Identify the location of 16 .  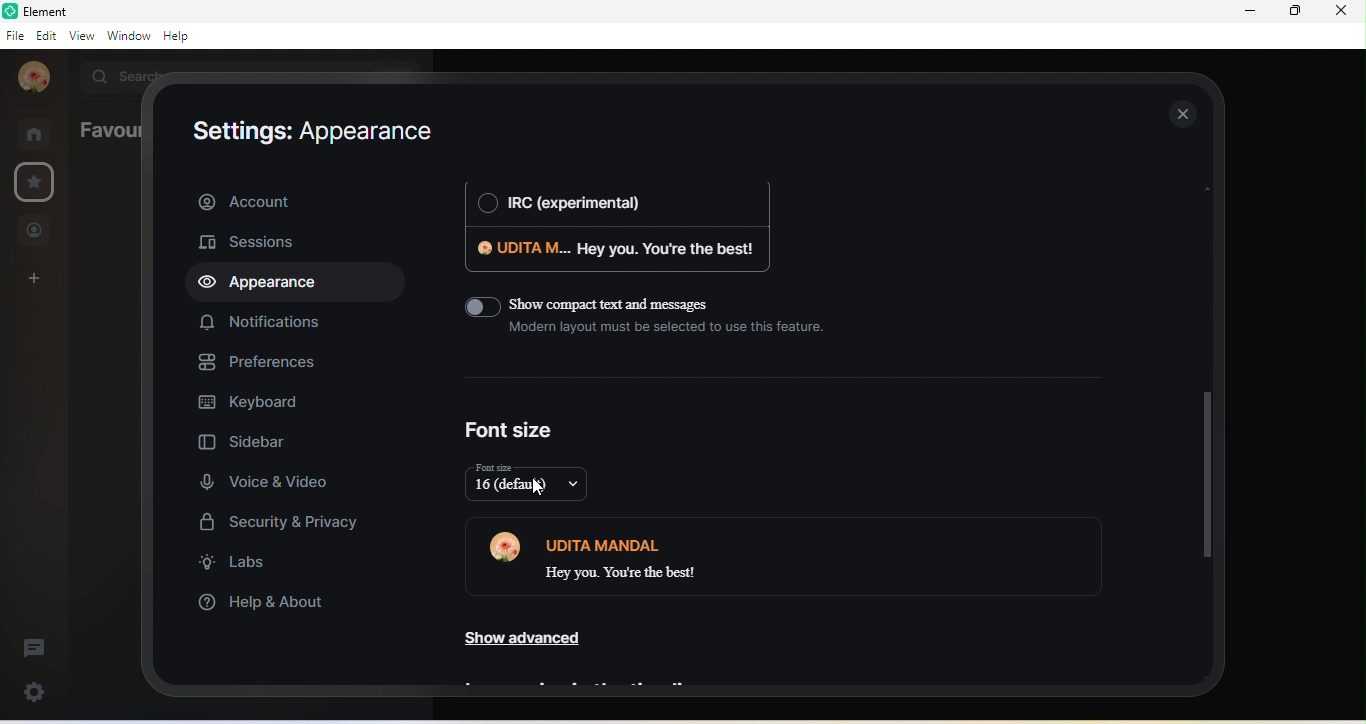
(535, 484).